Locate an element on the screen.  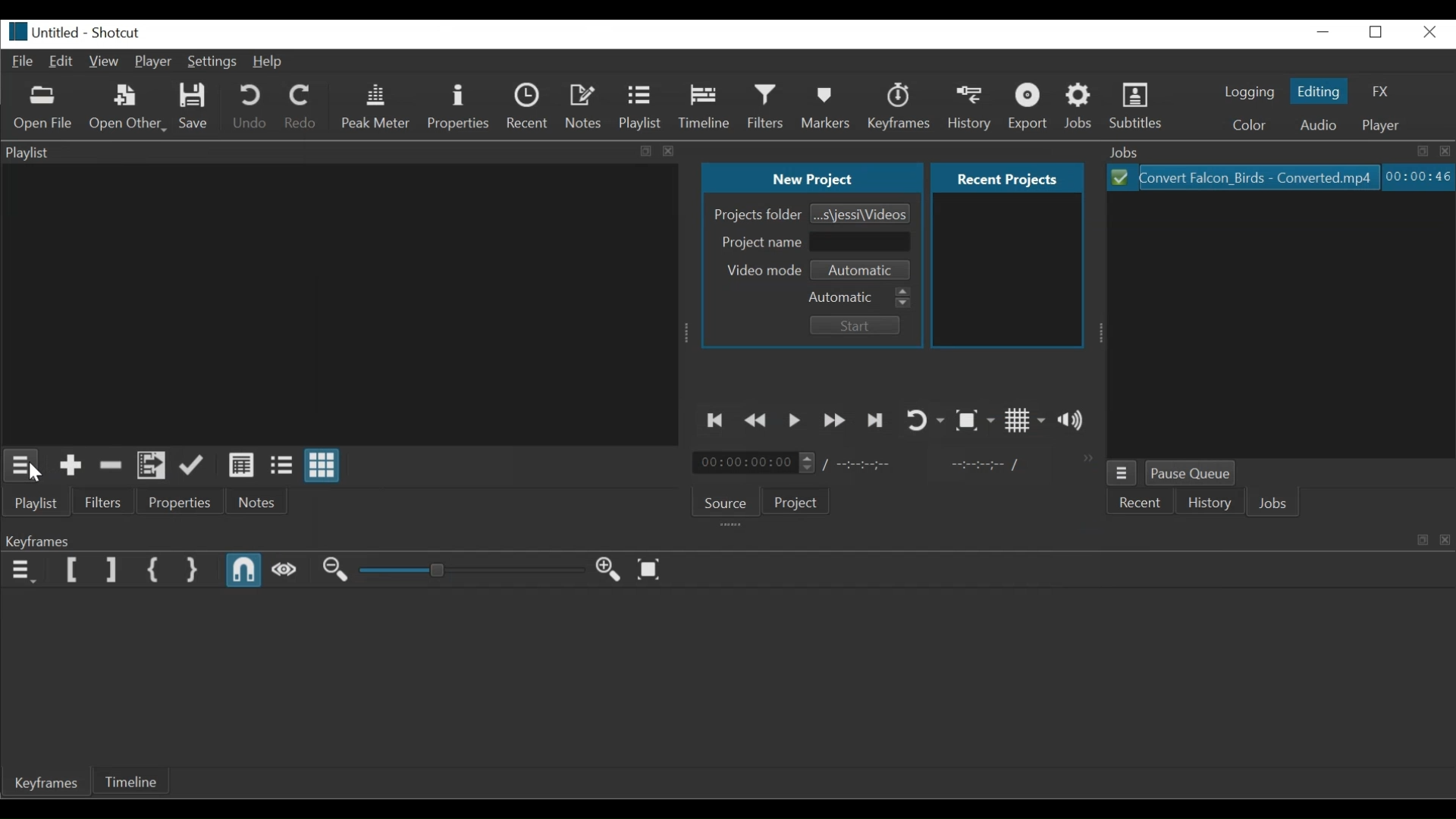
File is located at coordinates (1246, 176).